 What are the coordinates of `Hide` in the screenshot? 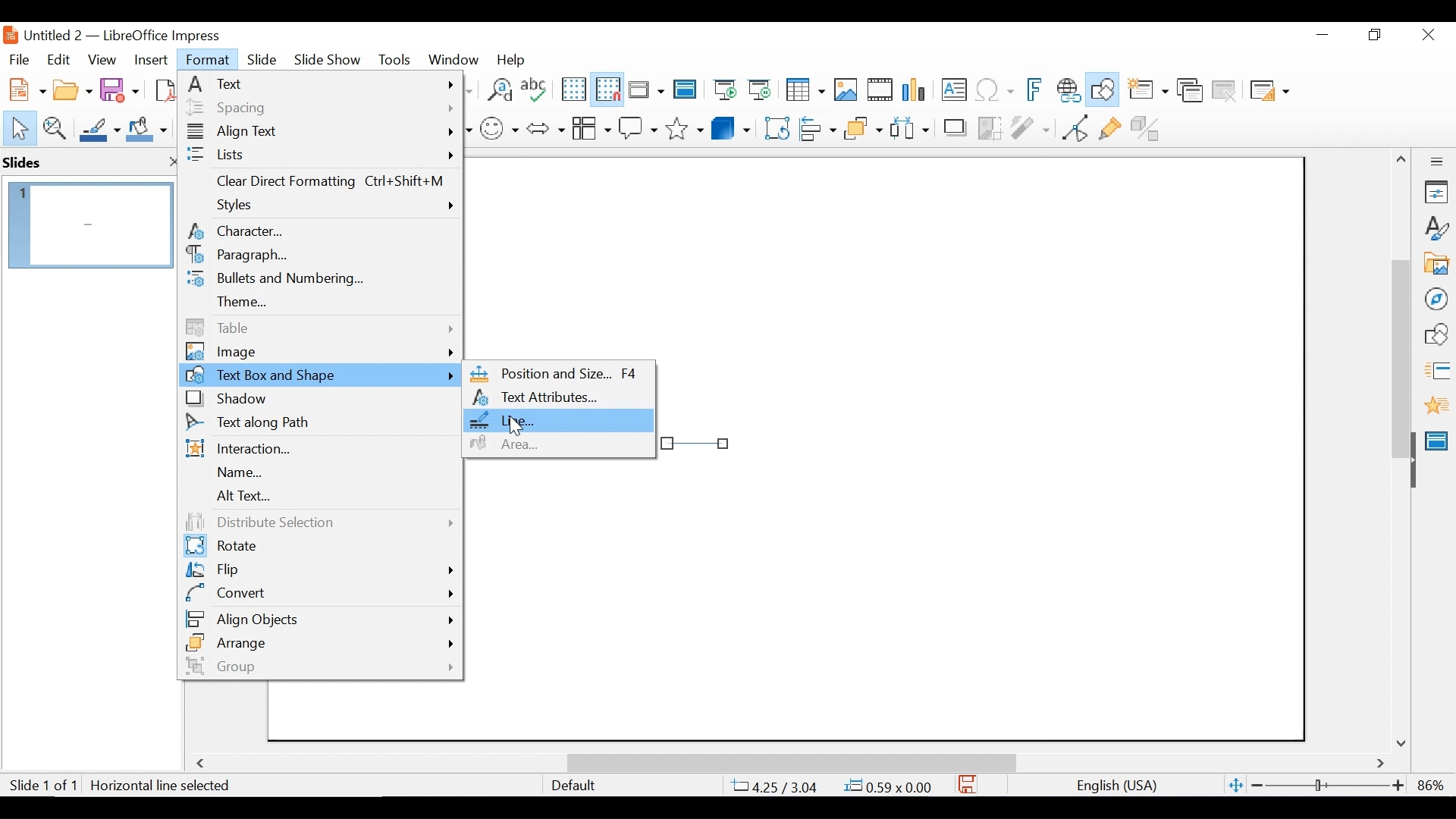 It's located at (1412, 457).